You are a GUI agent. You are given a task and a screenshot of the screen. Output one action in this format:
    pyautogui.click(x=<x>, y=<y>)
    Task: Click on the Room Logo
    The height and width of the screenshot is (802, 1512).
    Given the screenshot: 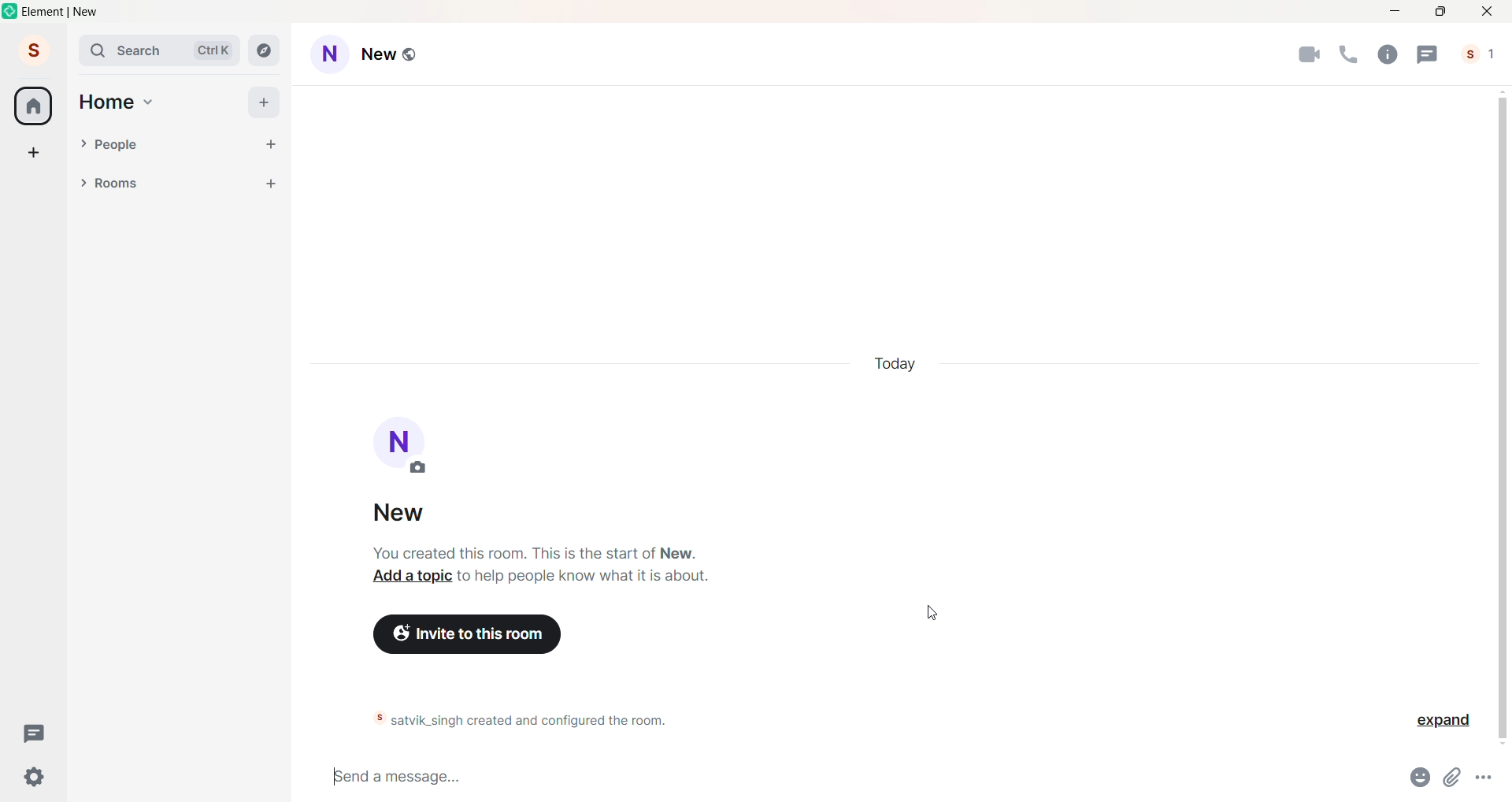 What is the action you would take?
    pyautogui.click(x=330, y=56)
    